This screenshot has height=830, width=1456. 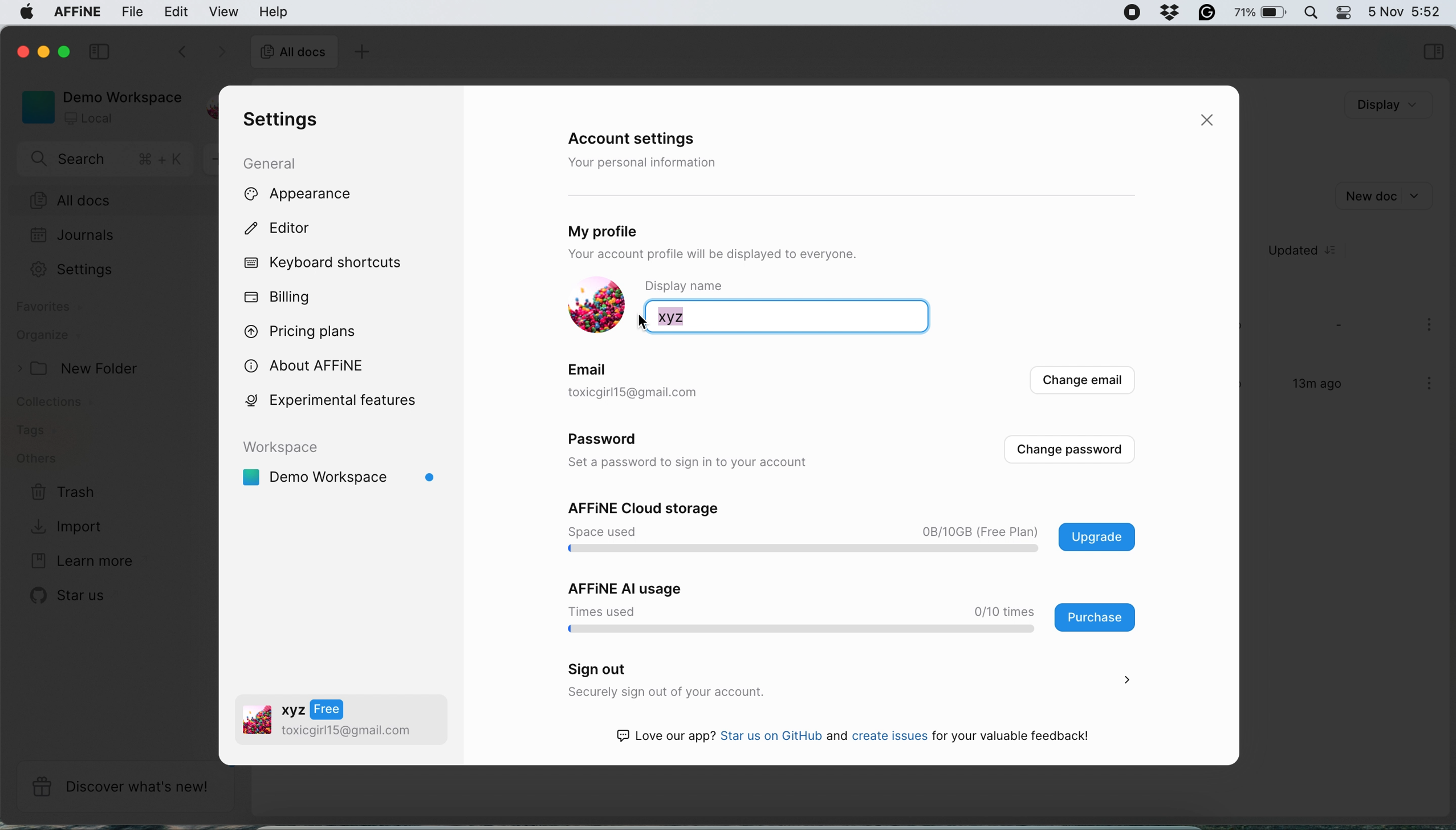 What do you see at coordinates (277, 120) in the screenshot?
I see `settings` at bounding box center [277, 120].